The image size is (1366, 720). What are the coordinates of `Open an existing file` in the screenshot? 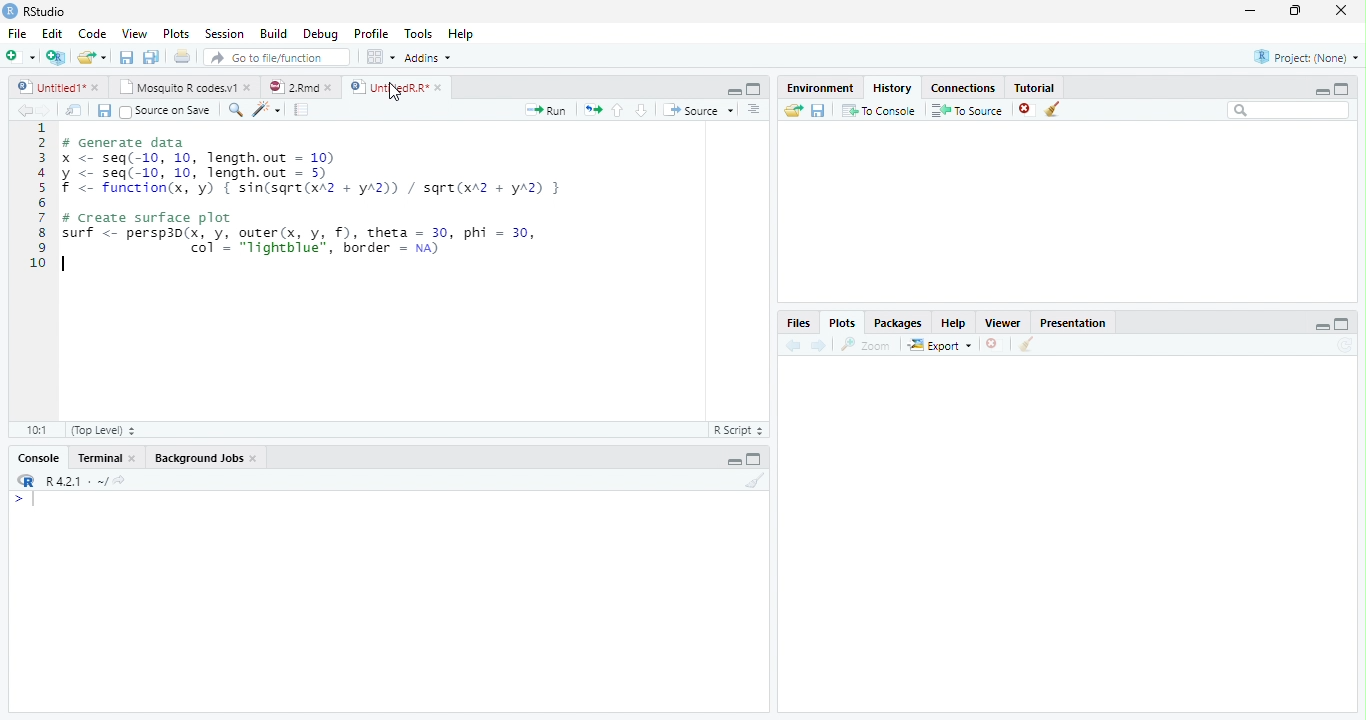 It's located at (84, 57).